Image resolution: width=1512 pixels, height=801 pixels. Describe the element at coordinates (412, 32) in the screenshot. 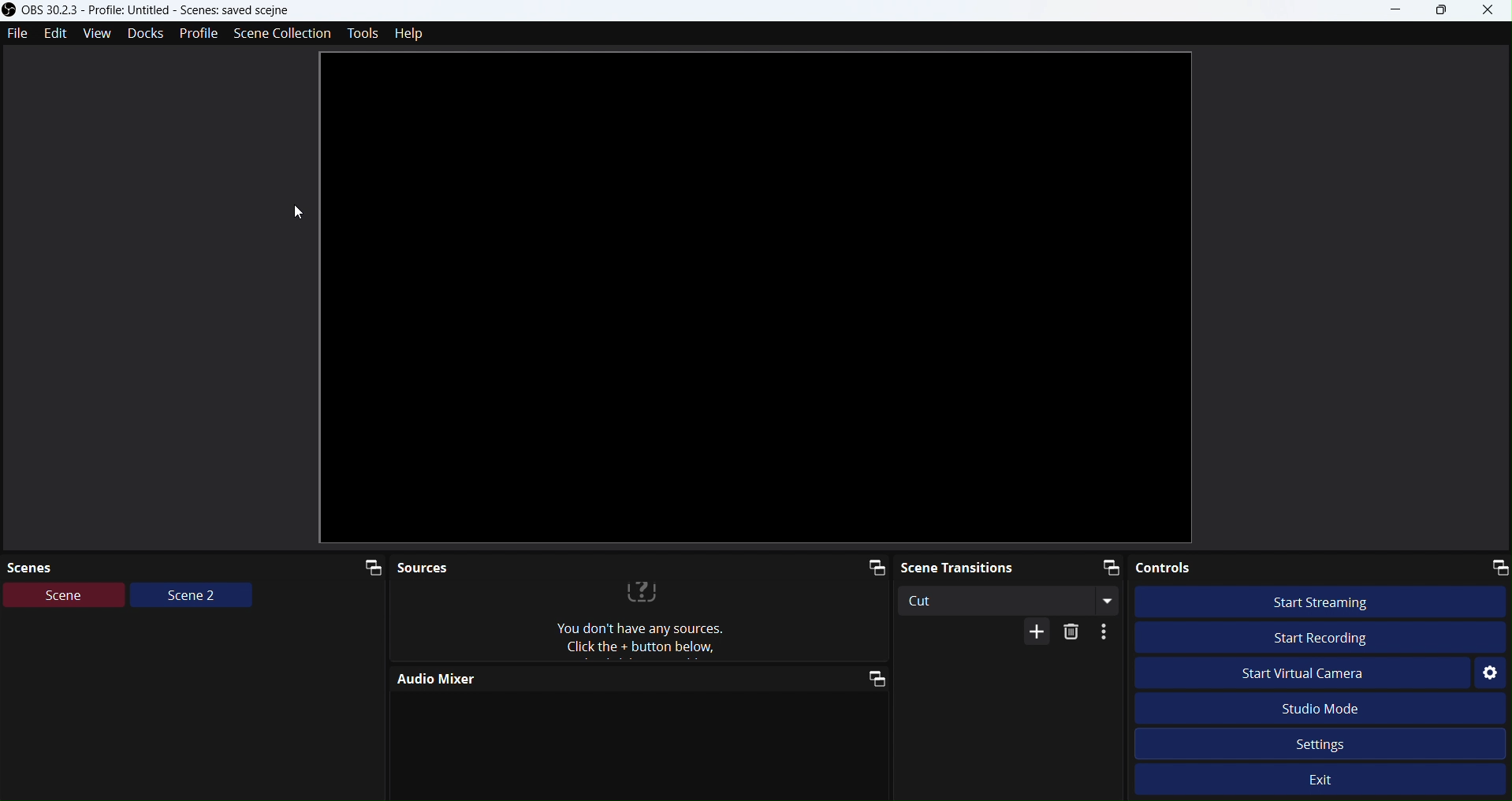

I see `Help` at that location.